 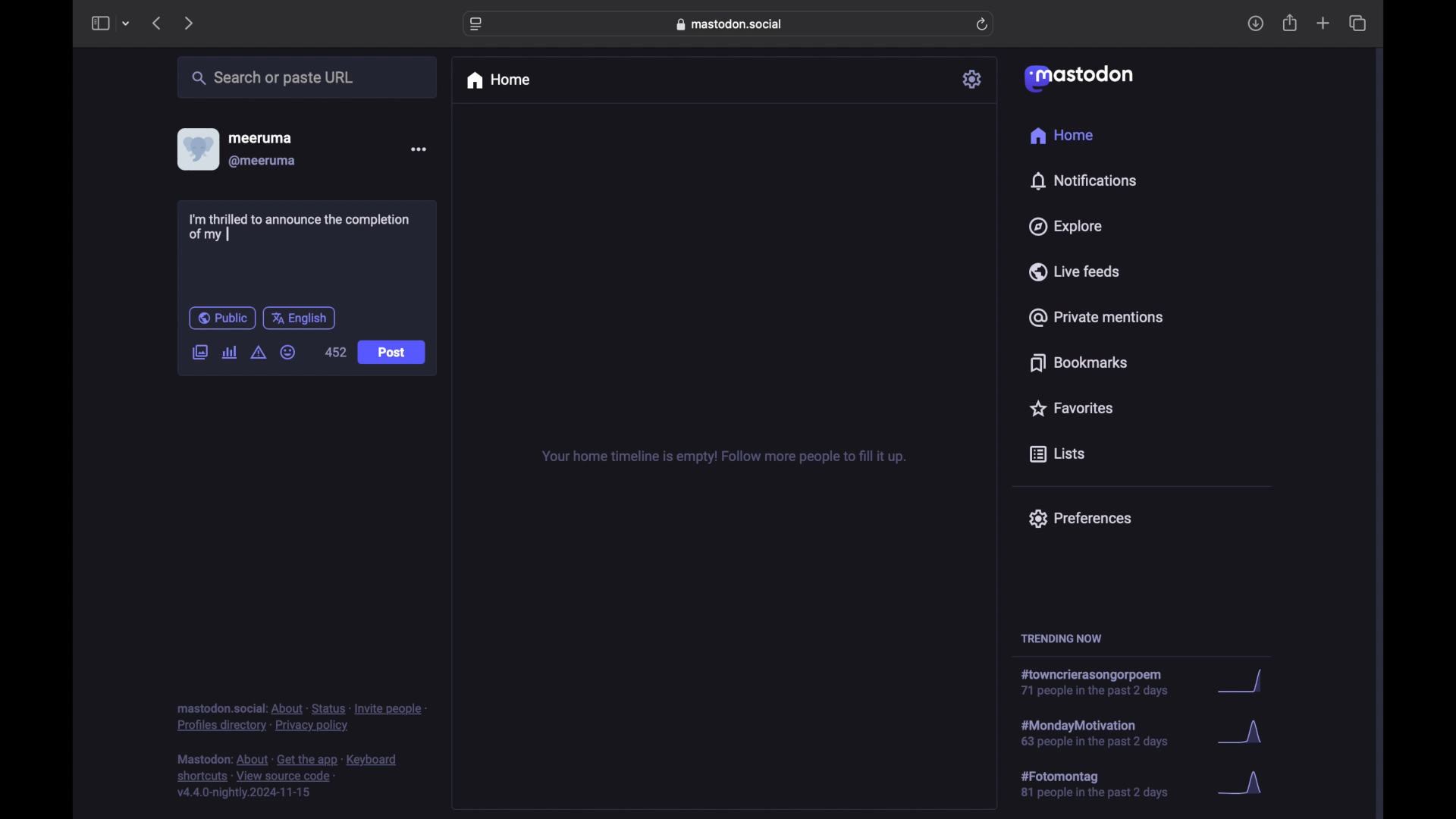 What do you see at coordinates (260, 138) in the screenshot?
I see `meeruma` at bounding box center [260, 138].